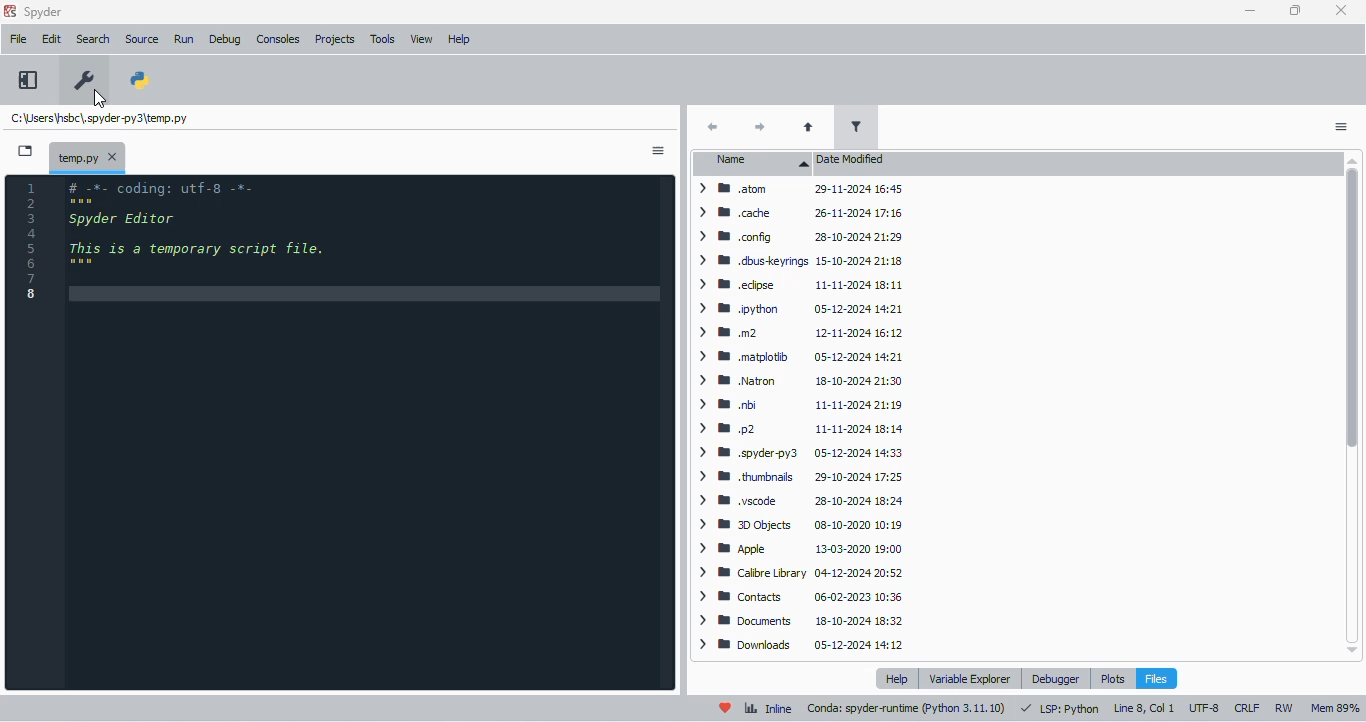 Image resolution: width=1366 pixels, height=722 pixels. Describe the element at coordinates (1156, 678) in the screenshot. I see `files` at that location.